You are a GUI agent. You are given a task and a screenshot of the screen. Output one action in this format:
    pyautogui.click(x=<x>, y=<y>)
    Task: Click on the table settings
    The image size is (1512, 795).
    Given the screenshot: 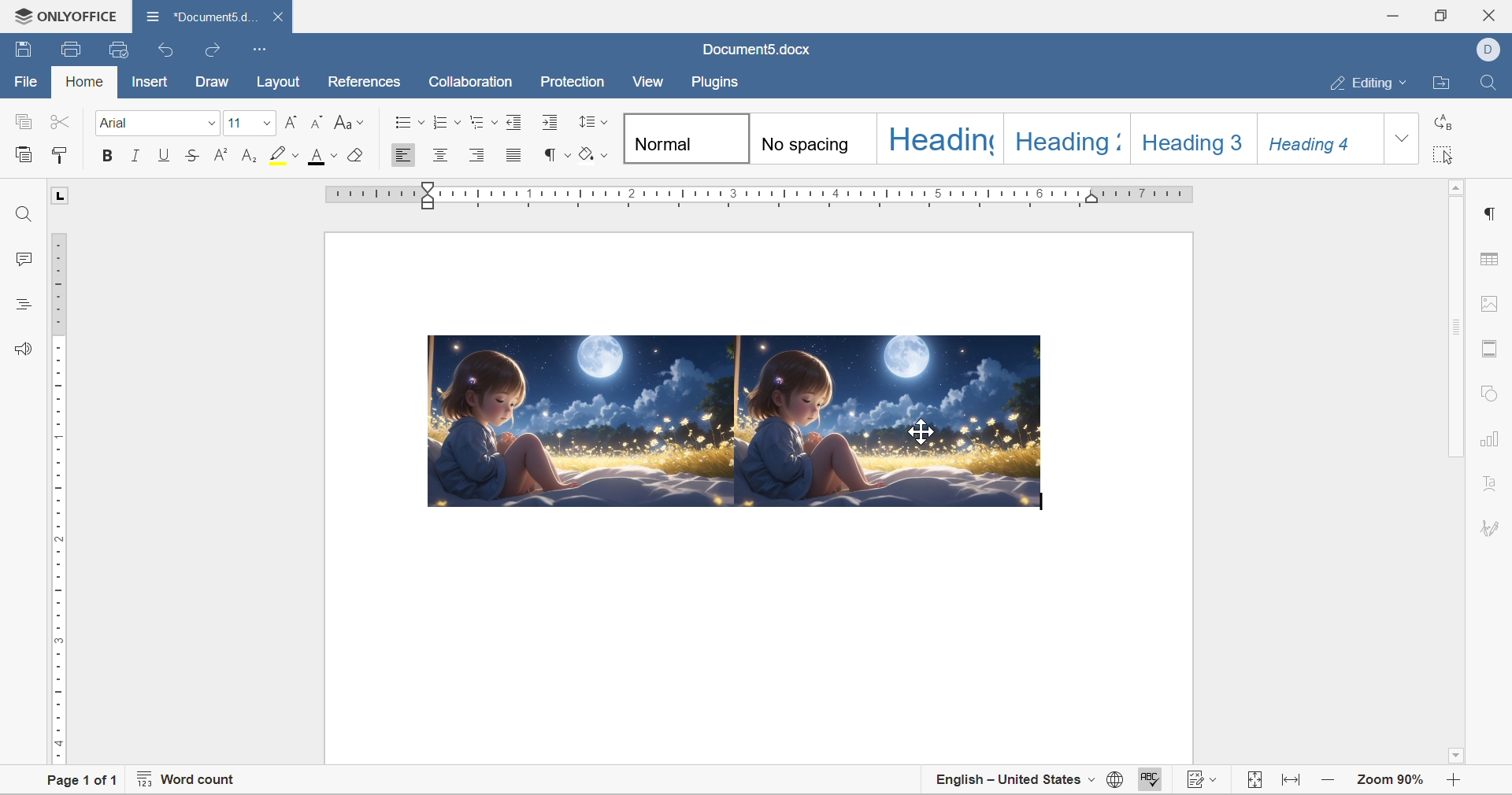 What is the action you would take?
    pyautogui.click(x=1492, y=260)
    